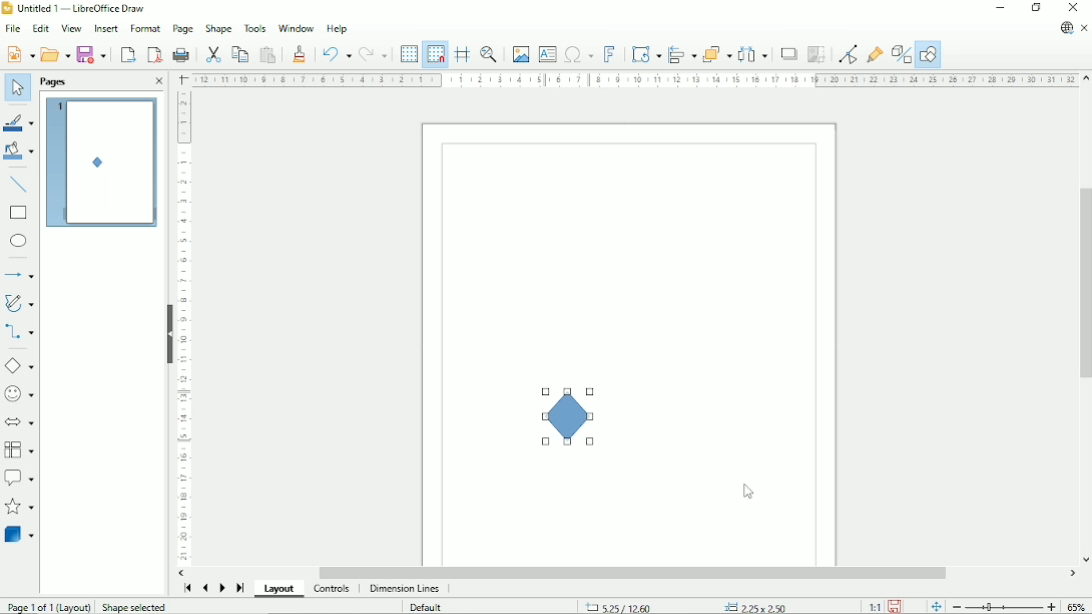 This screenshot has height=614, width=1092. What do you see at coordinates (20, 122) in the screenshot?
I see `Line color` at bounding box center [20, 122].